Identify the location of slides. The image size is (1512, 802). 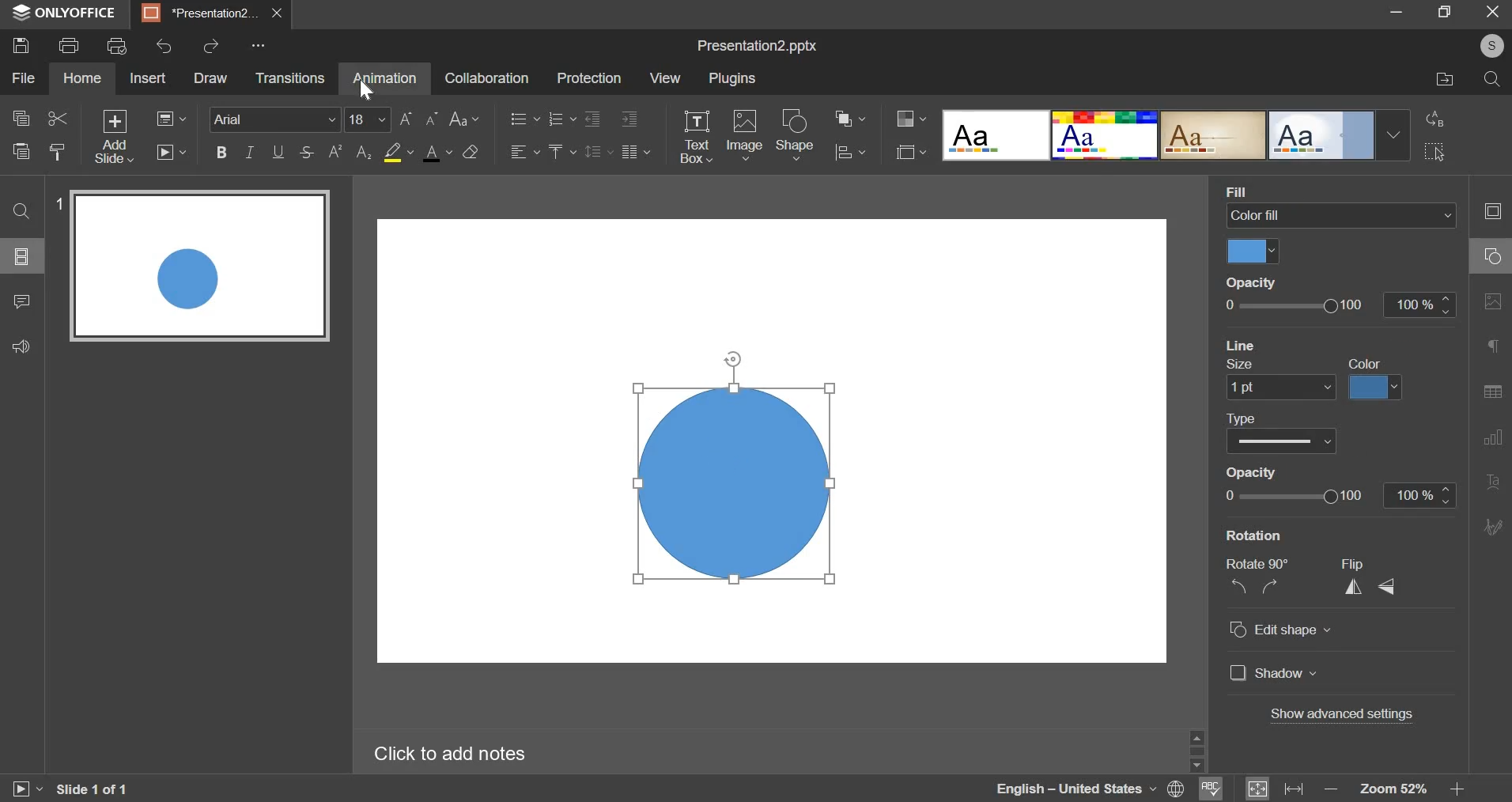
(24, 256).